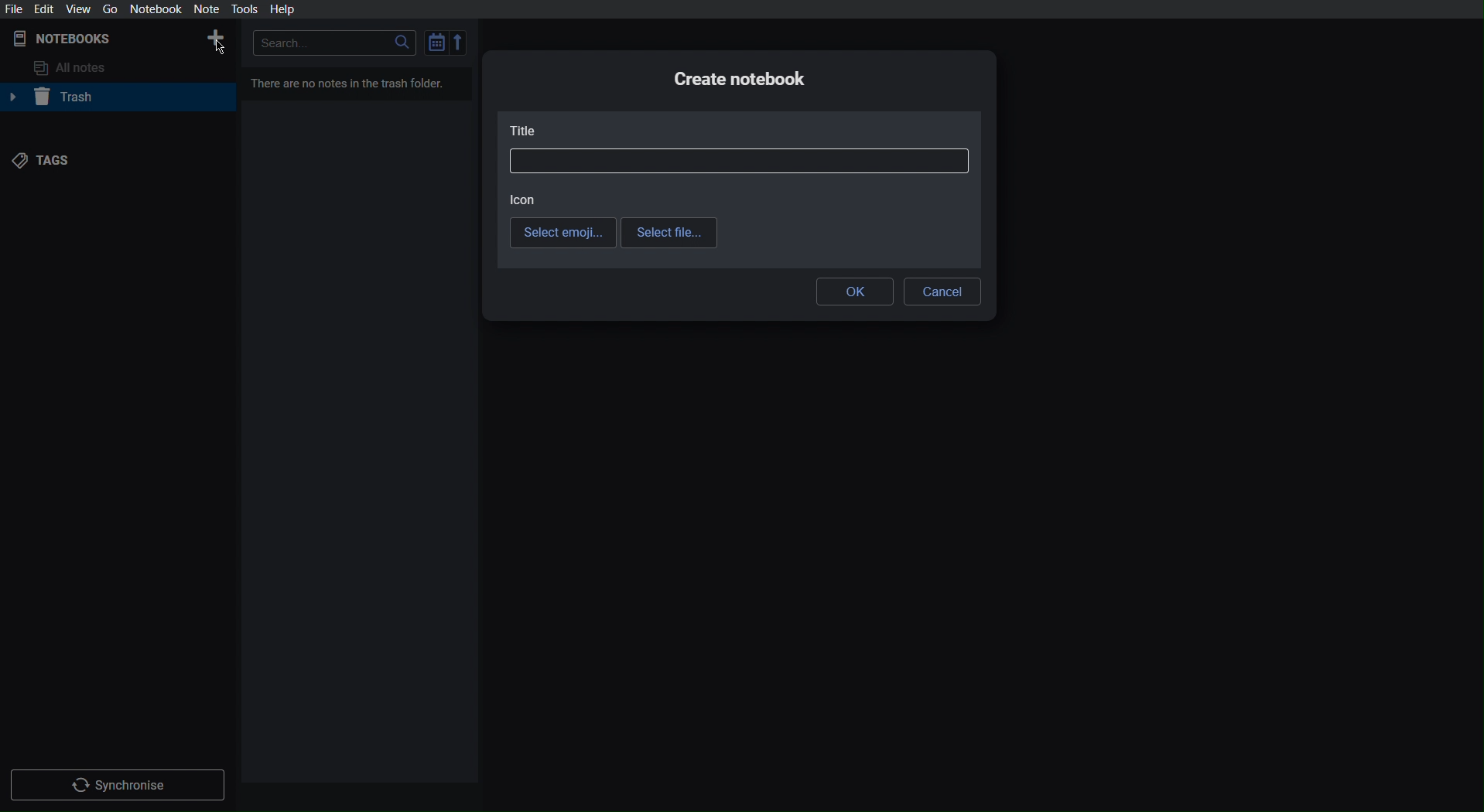  Describe the element at coordinates (207, 9) in the screenshot. I see `Not` at that location.